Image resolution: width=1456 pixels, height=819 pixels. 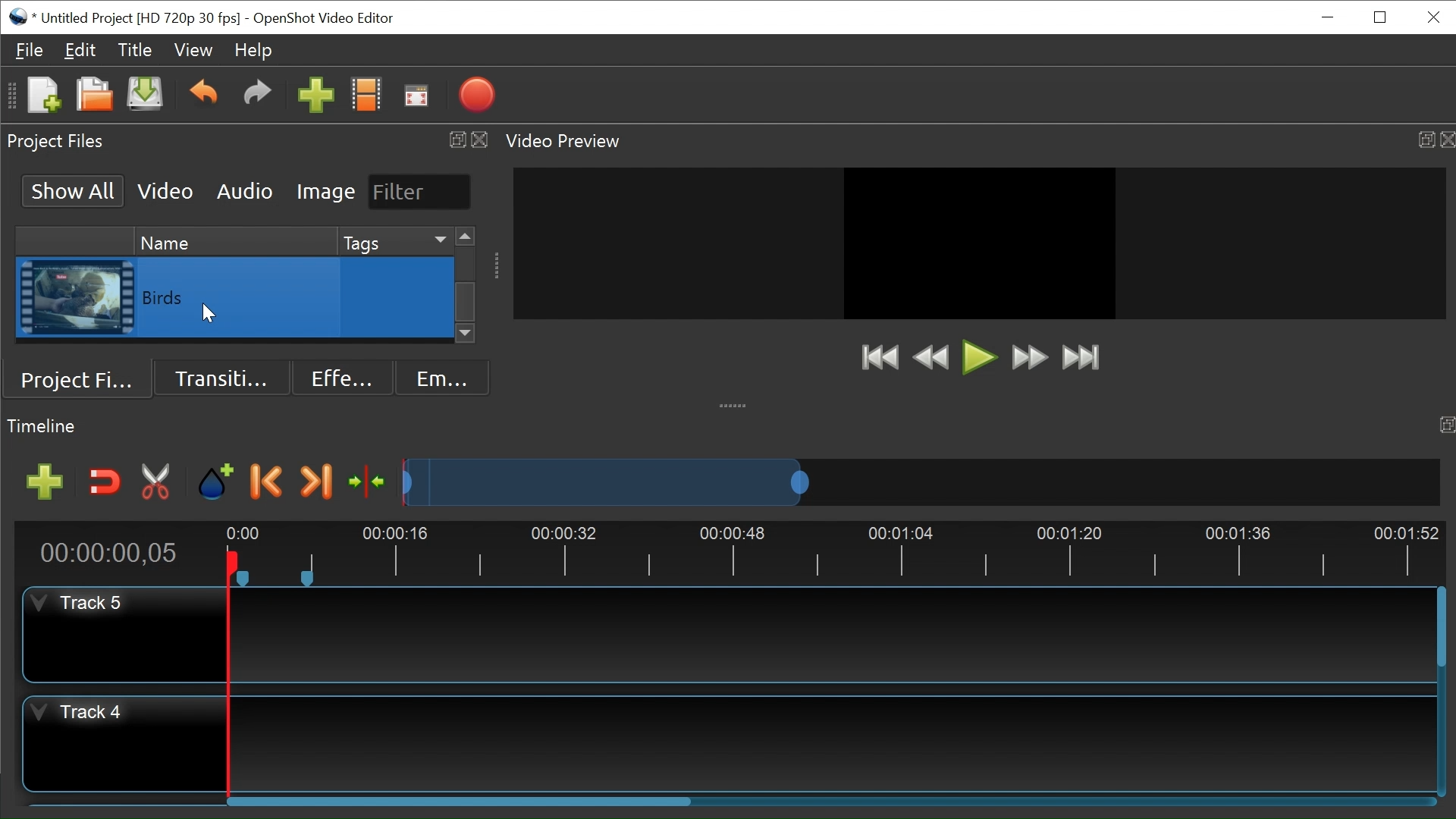 What do you see at coordinates (1433, 17) in the screenshot?
I see `close` at bounding box center [1433, 17].